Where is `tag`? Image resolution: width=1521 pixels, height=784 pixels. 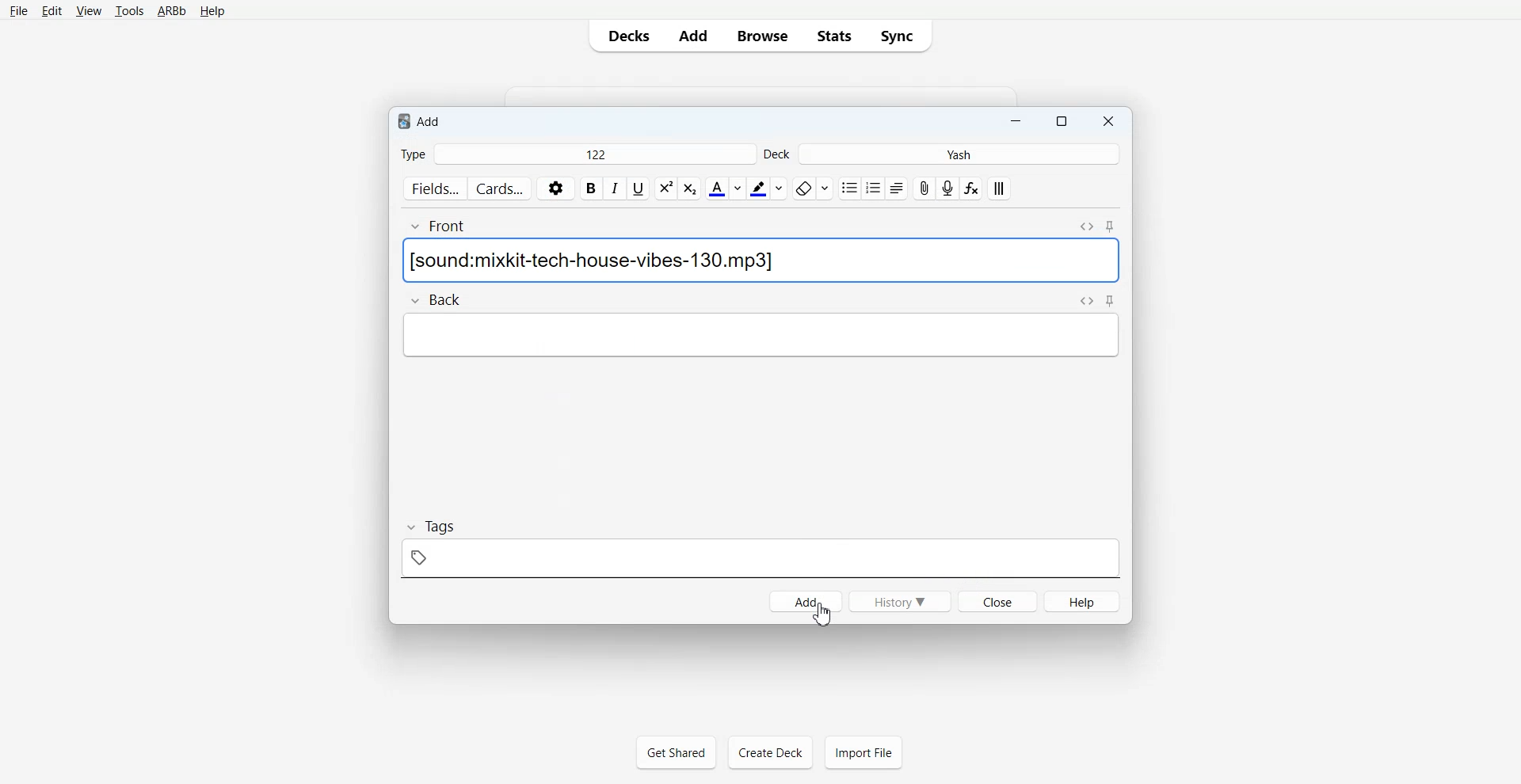
tag is located at coordinates (422, 557).